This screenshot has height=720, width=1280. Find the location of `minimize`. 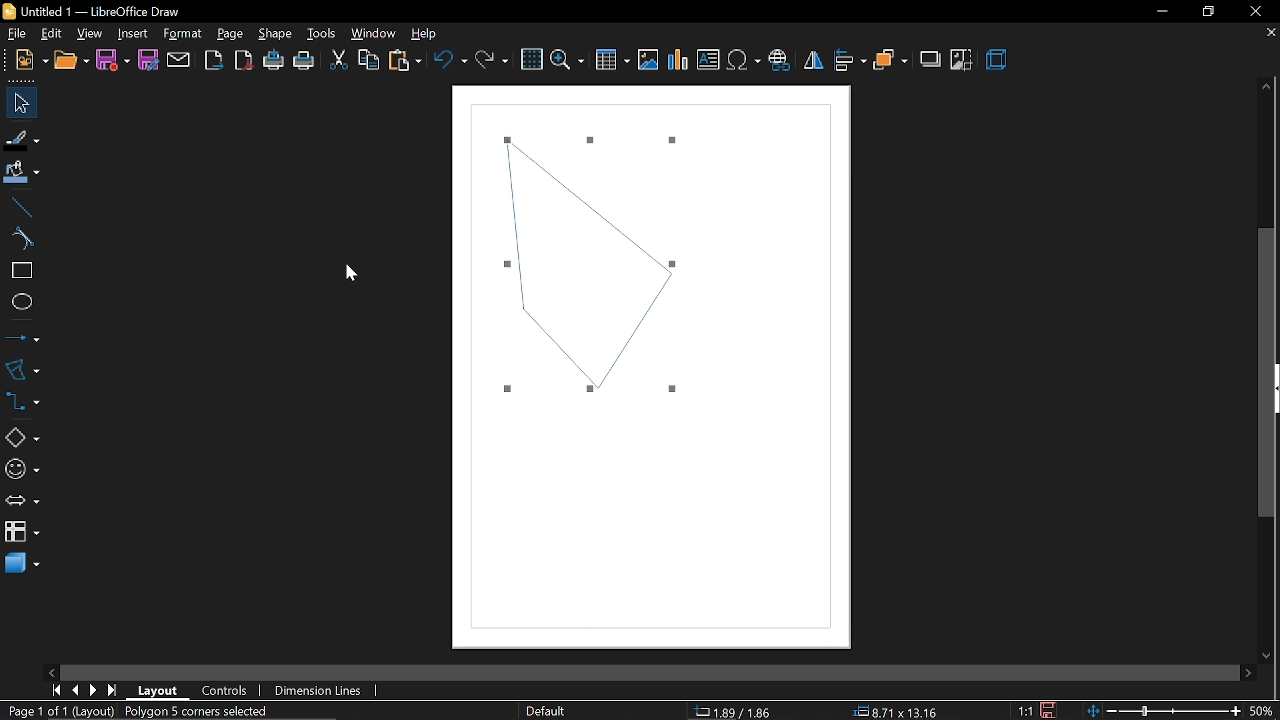

minimize is located at coordinates (1162, 12).